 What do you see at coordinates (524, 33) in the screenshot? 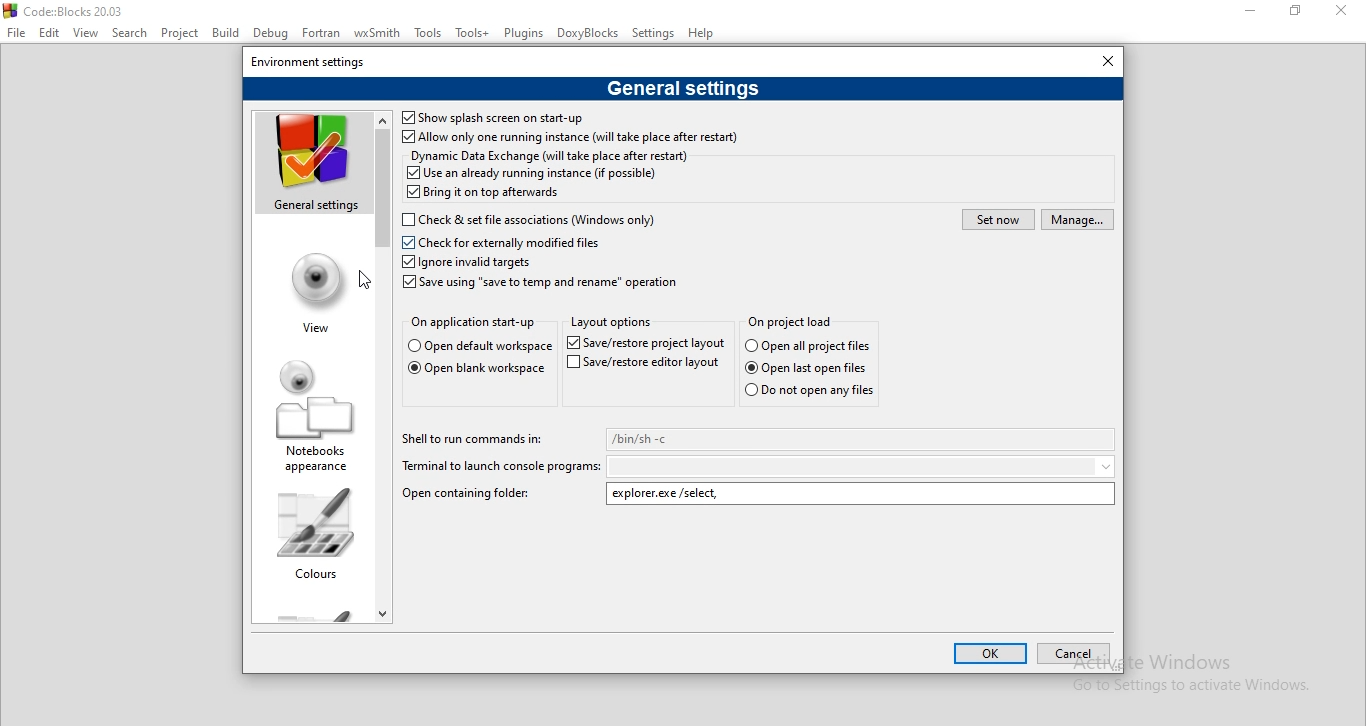
I see `Plugins` at bounding box center [524, 33].